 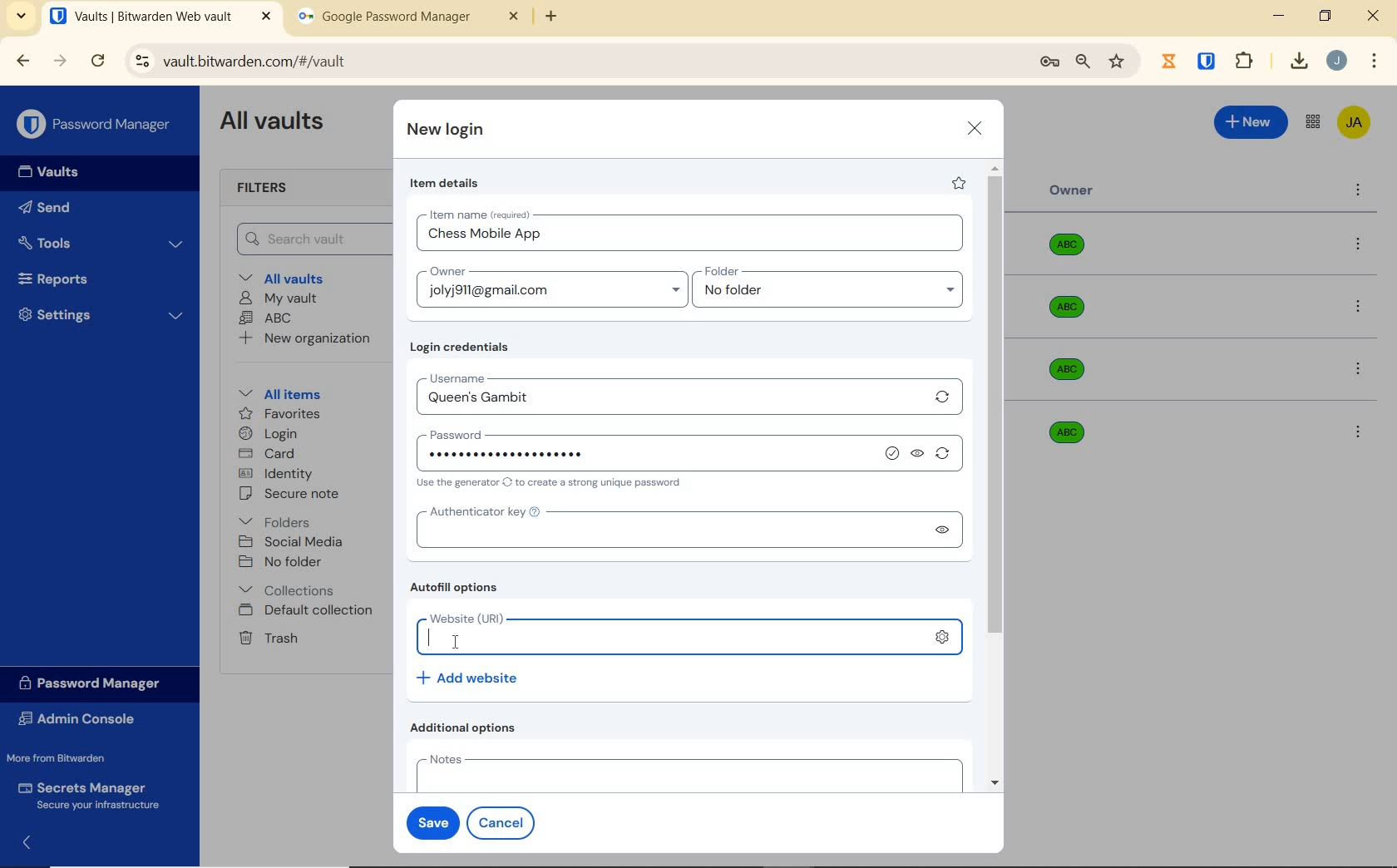 I want to click on toggle between admin console and password manager, so click(x=1311, y=123).